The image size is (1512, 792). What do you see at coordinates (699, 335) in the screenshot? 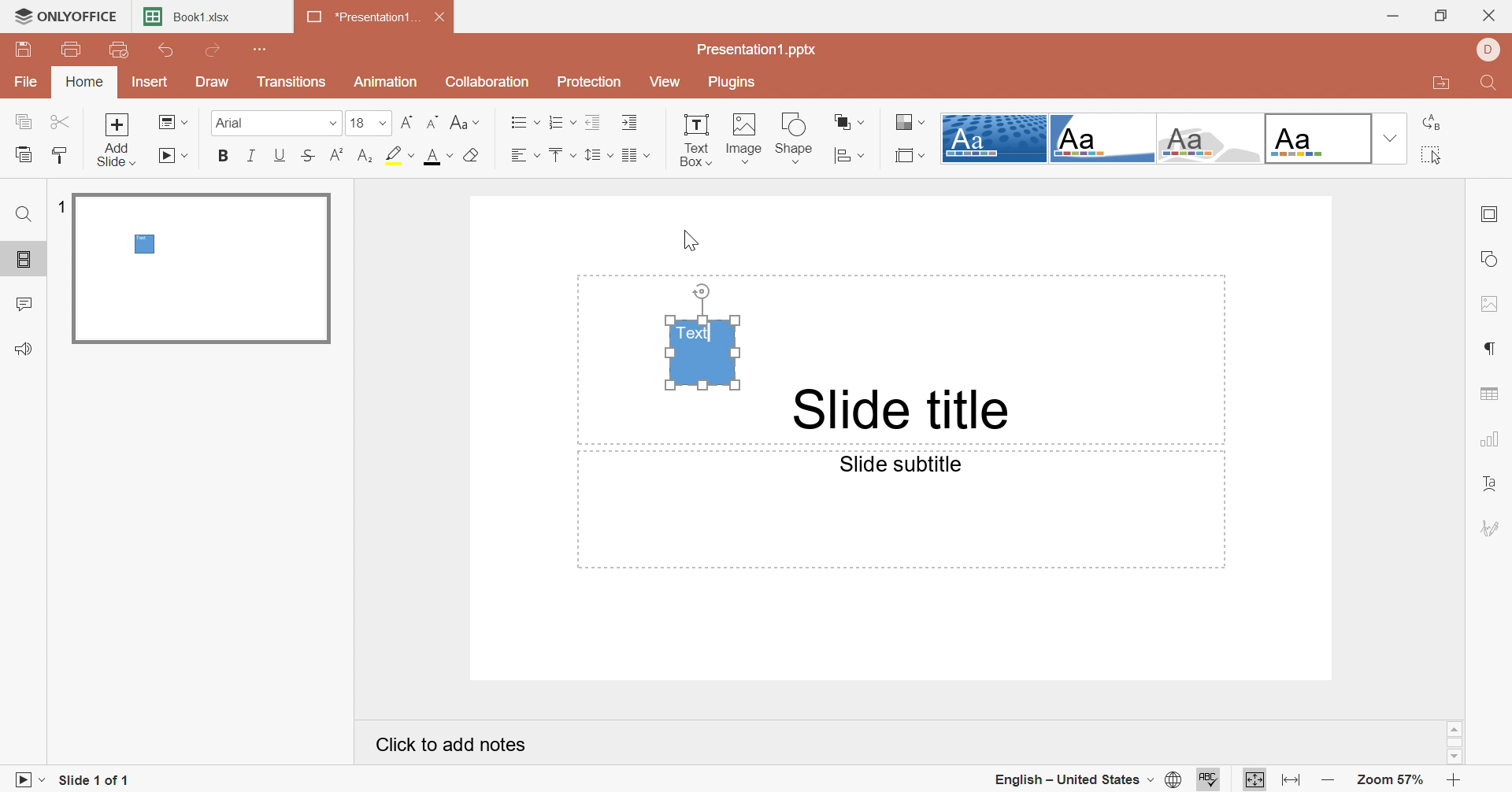
I see `Text` at bounding box center [699, 335].